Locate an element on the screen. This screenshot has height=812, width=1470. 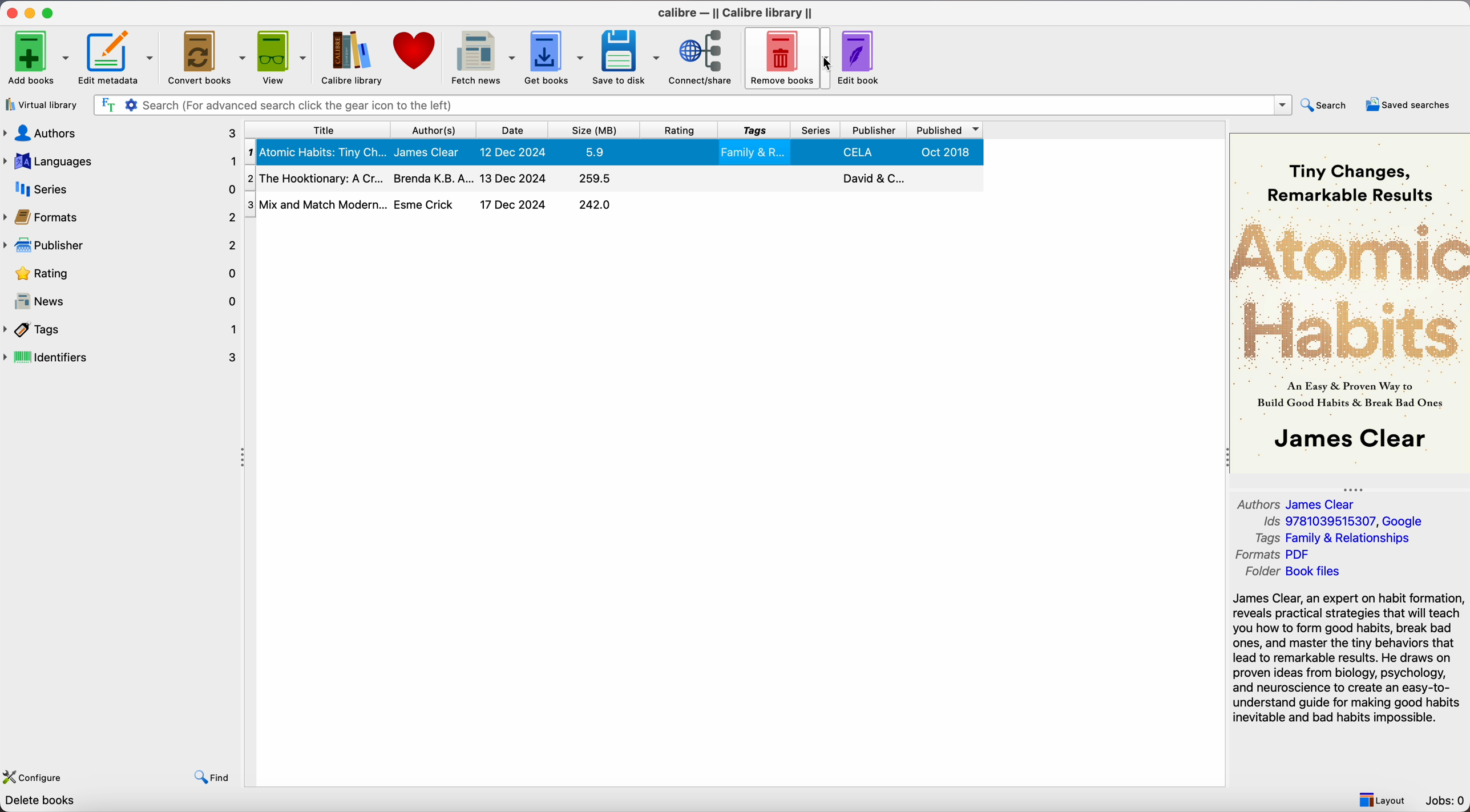
5.9 is located at coordinates (597, 152).